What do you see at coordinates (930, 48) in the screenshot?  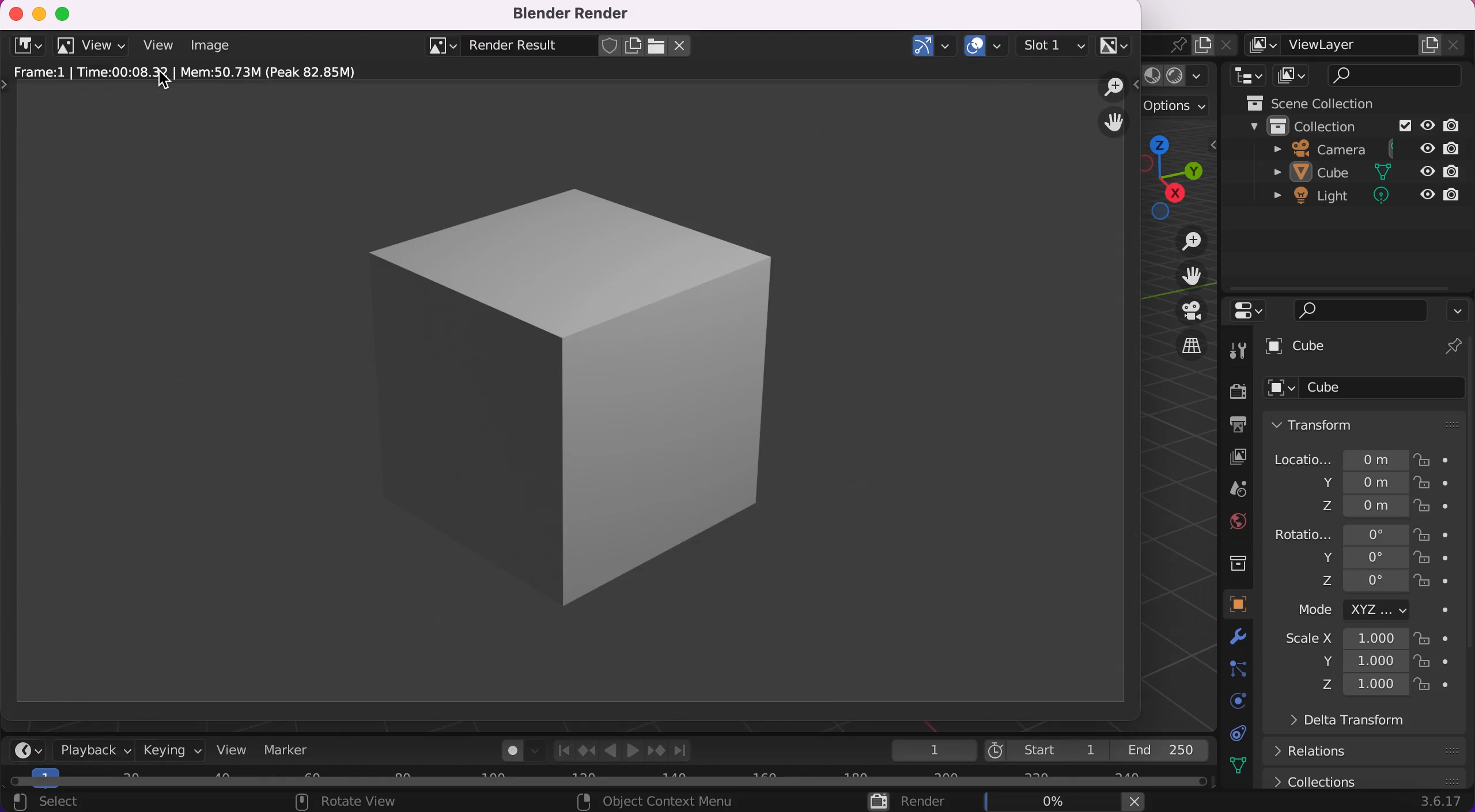 I see `show gizmos` at bounding box center [930, 48].